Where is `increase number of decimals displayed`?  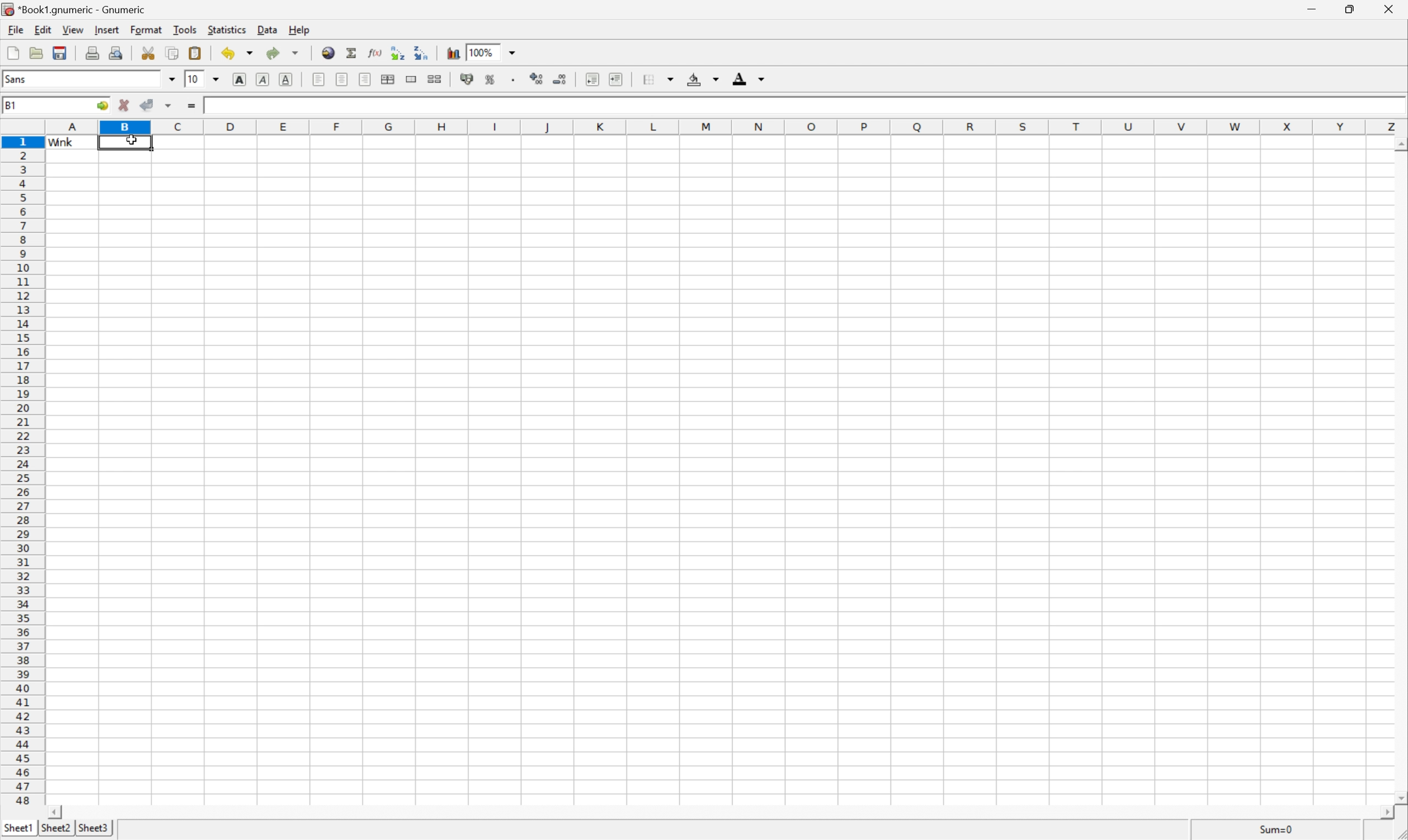 increase number of decimals displayed is located at coordinates (533, 79).